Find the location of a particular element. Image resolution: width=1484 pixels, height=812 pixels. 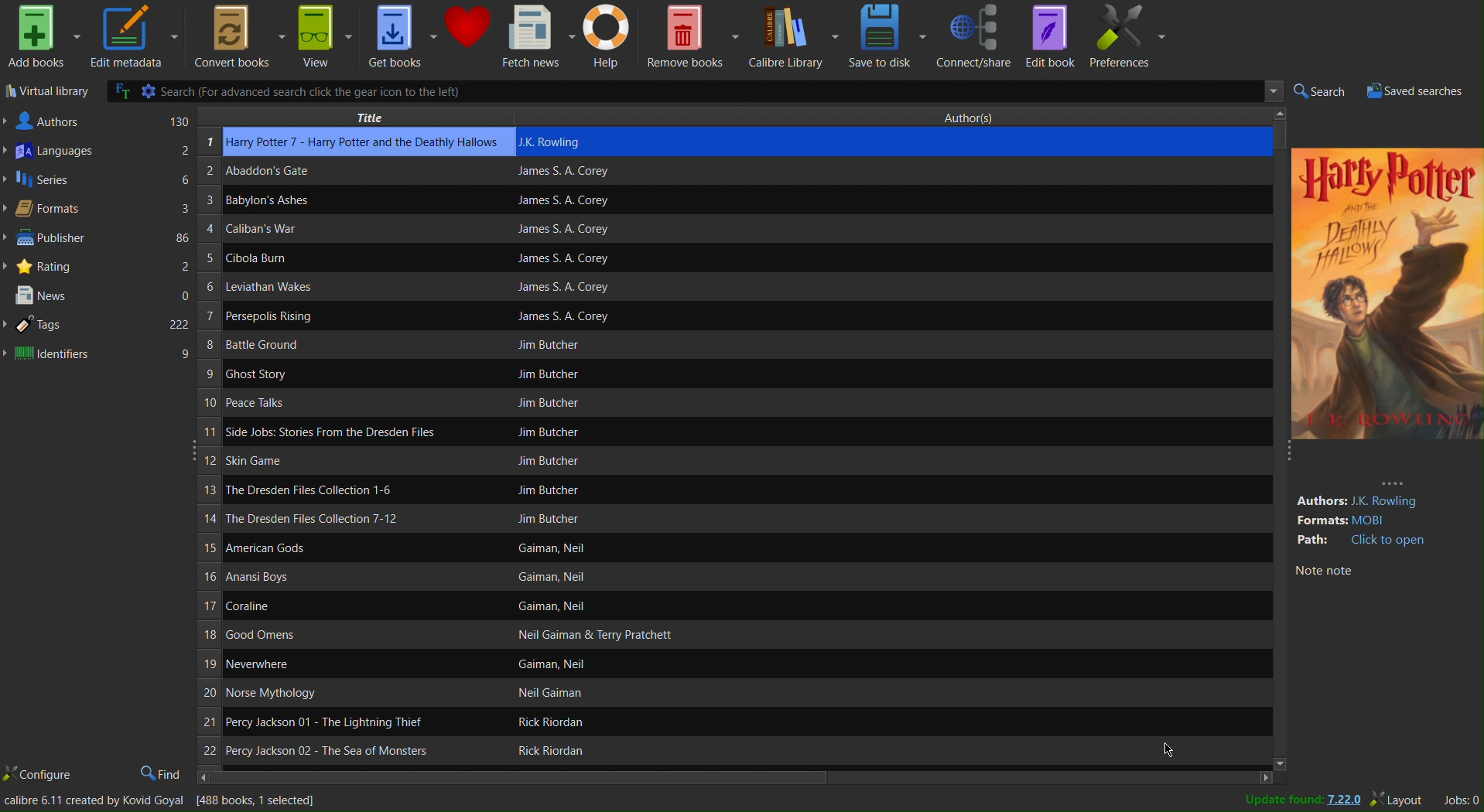

Help is located at coordinates (610, 36).